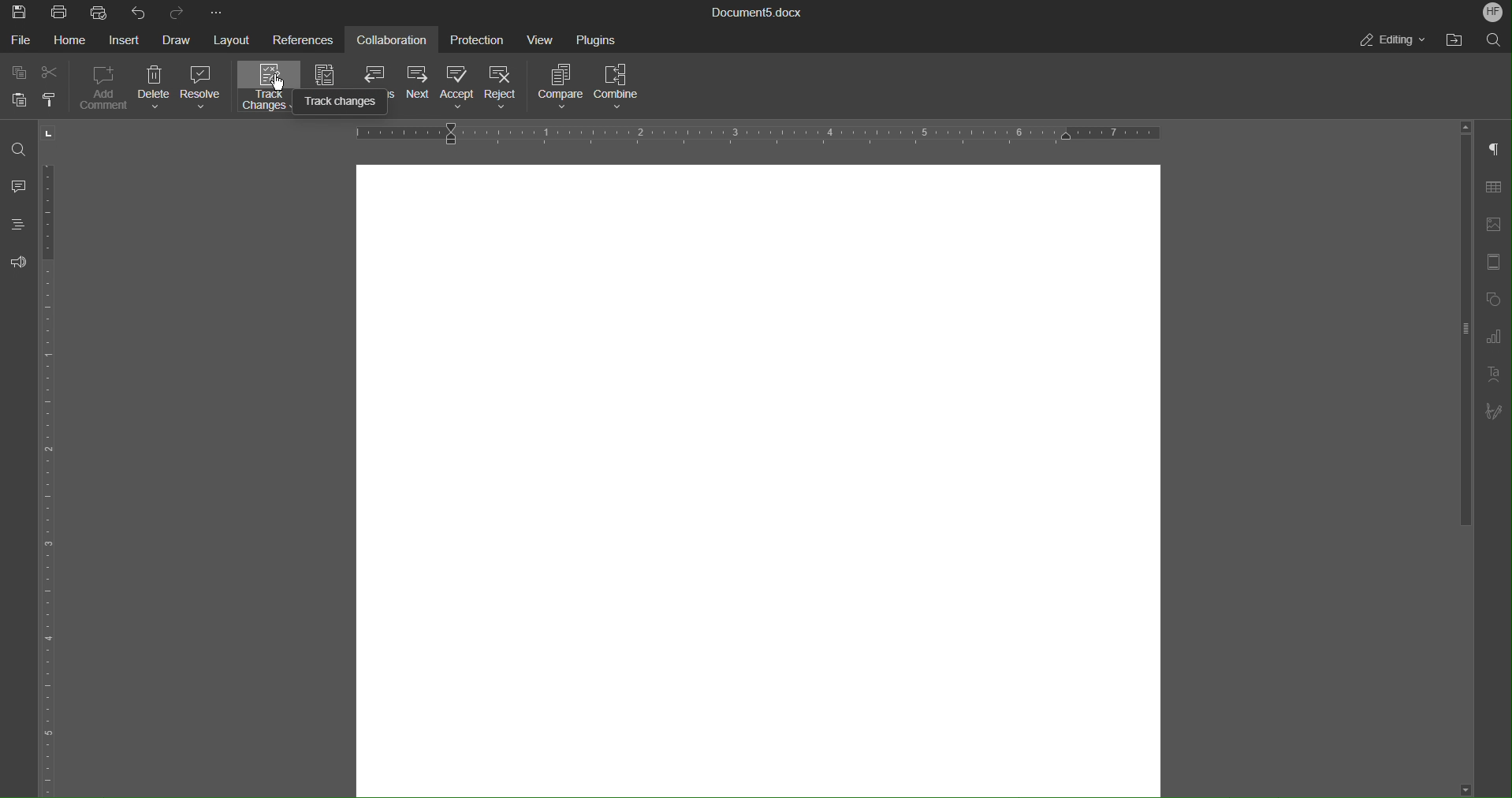 The image size is (1512, 798). I want to click on Delete, so click(158, 91).